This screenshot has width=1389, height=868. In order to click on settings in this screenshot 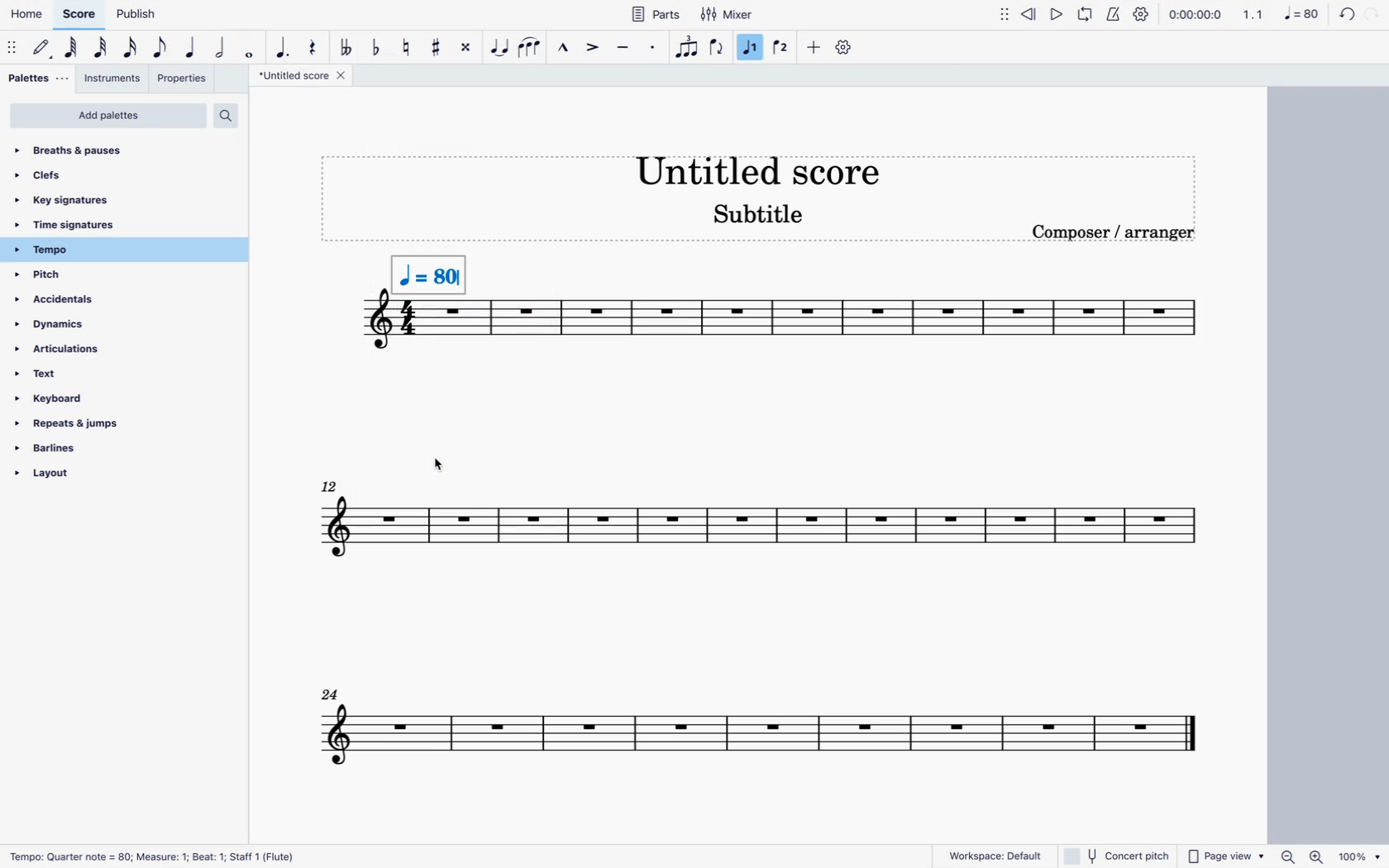, I will do `click(842, 48)`.